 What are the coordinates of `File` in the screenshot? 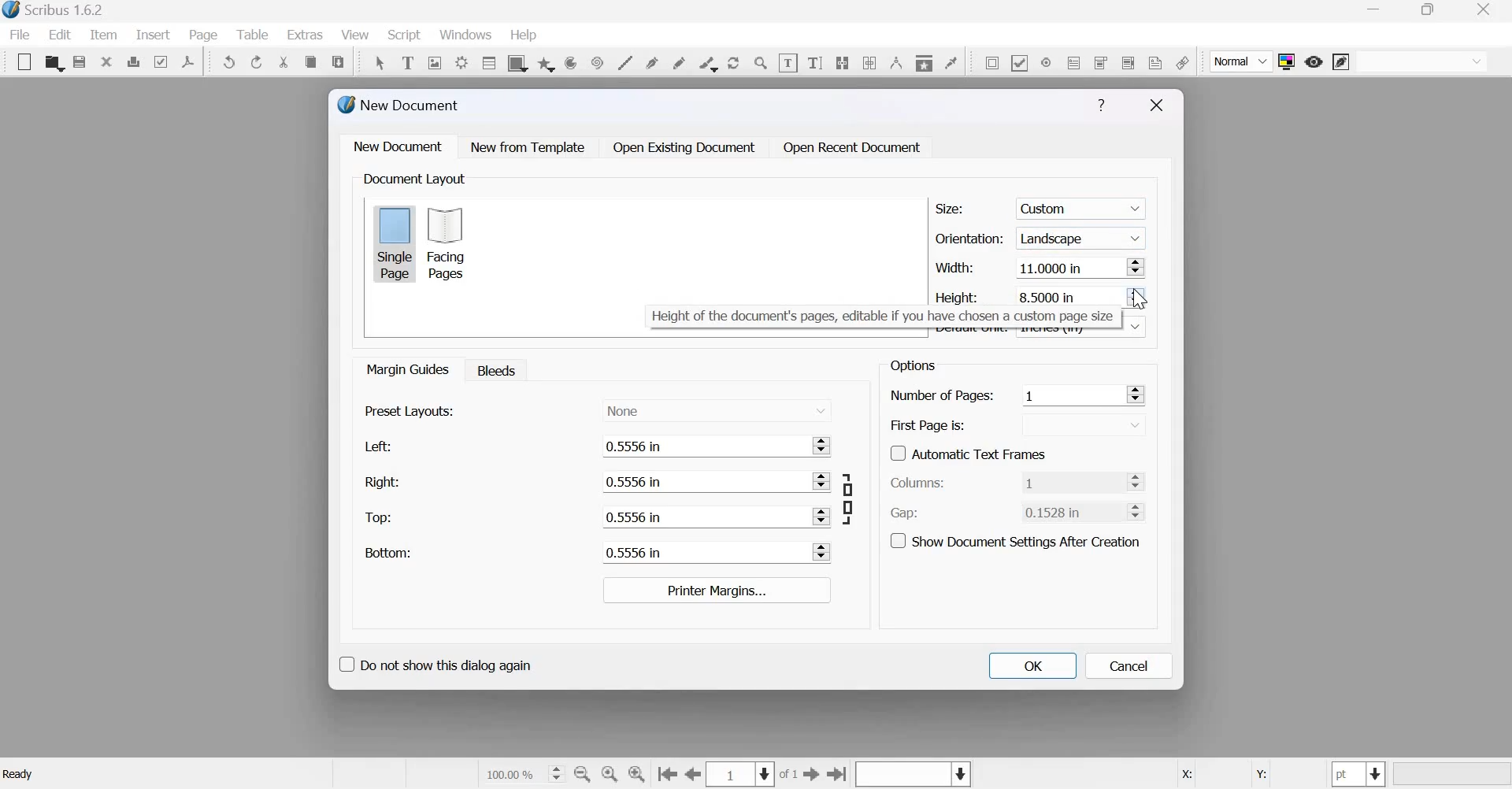 It's located at (24, 35).